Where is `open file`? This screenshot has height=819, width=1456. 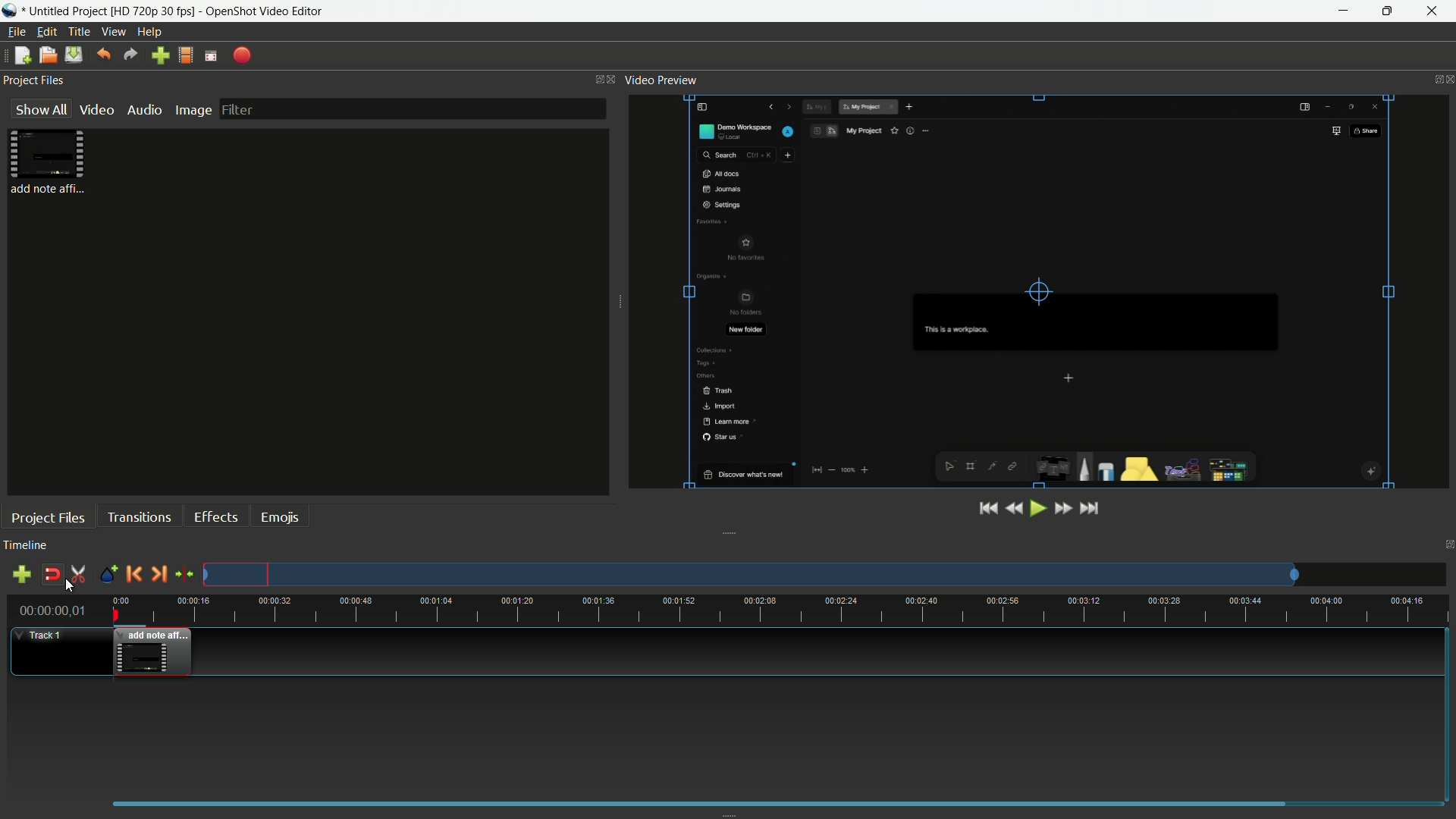 open file is located at coordinates (45, 56).